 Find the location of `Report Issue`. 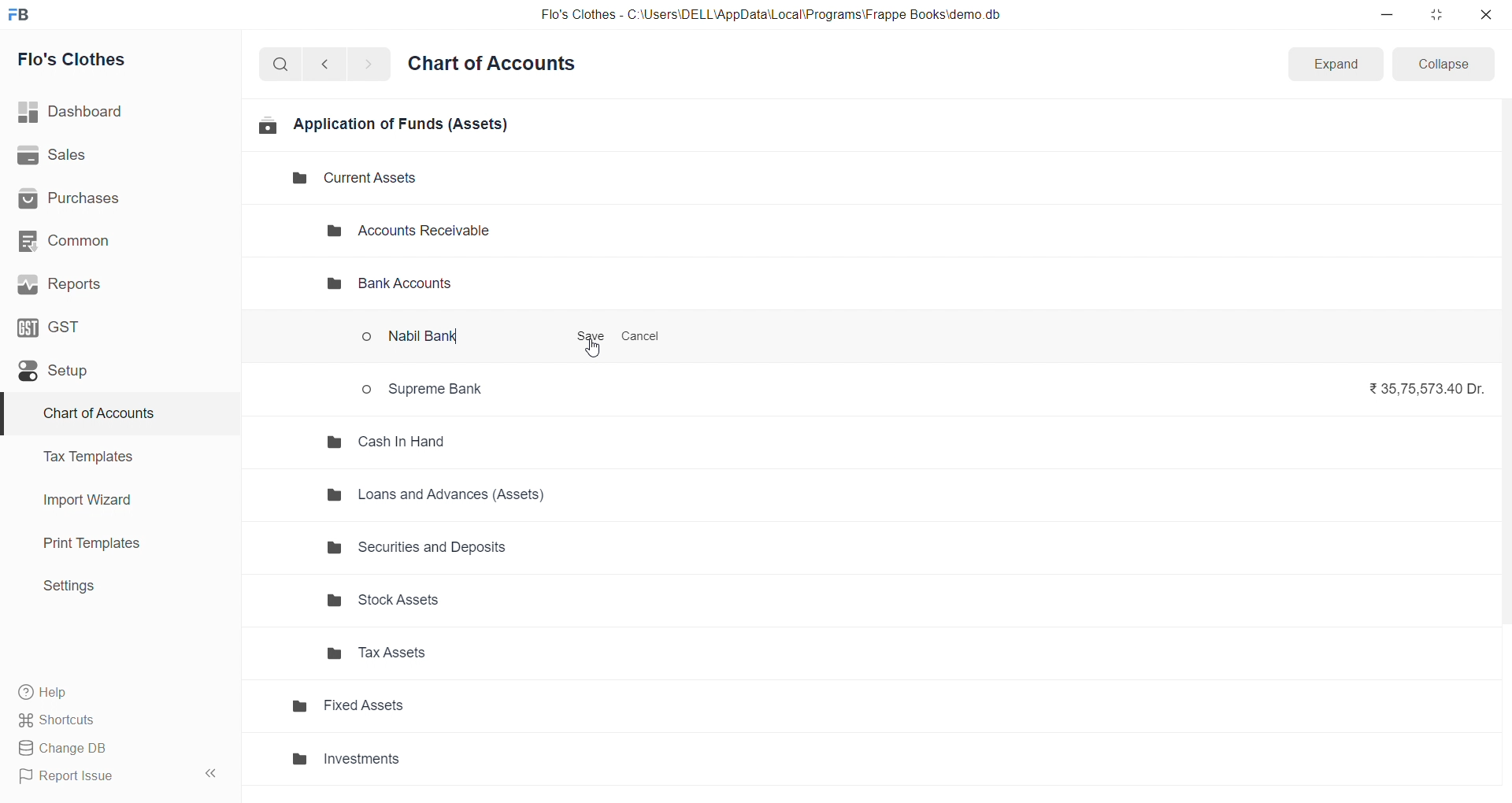

Report Issue is located at coordinates (98, 776).